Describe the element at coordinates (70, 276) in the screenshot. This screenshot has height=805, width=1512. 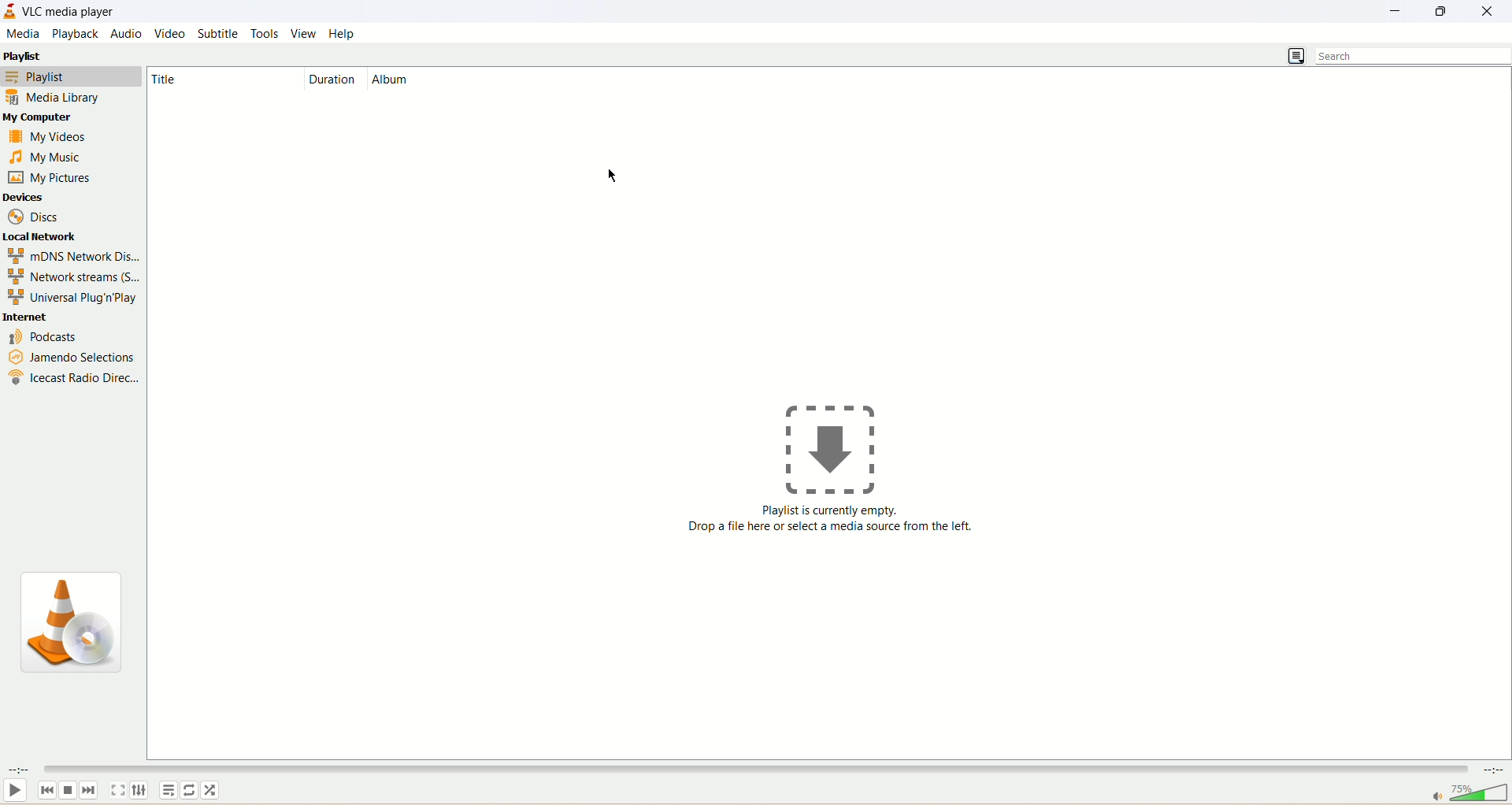
I see `network streams` at that location.